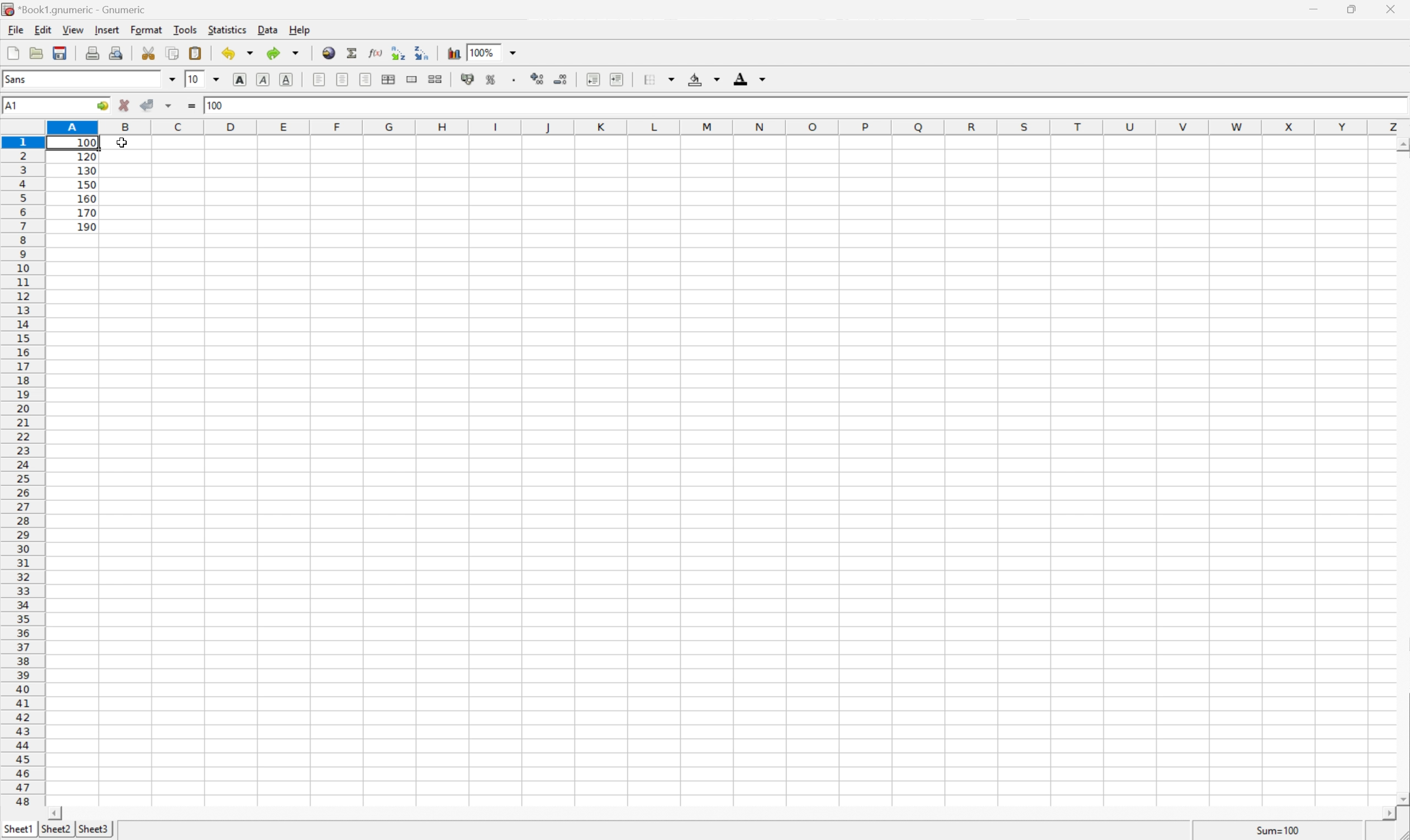 Image resolution: width=1410 pixels, height=840 pixels. Describe the element at coordinates (423, 53) in the screenshot. I see `Sort the selected region in descending order based on the first column selected` at that location.